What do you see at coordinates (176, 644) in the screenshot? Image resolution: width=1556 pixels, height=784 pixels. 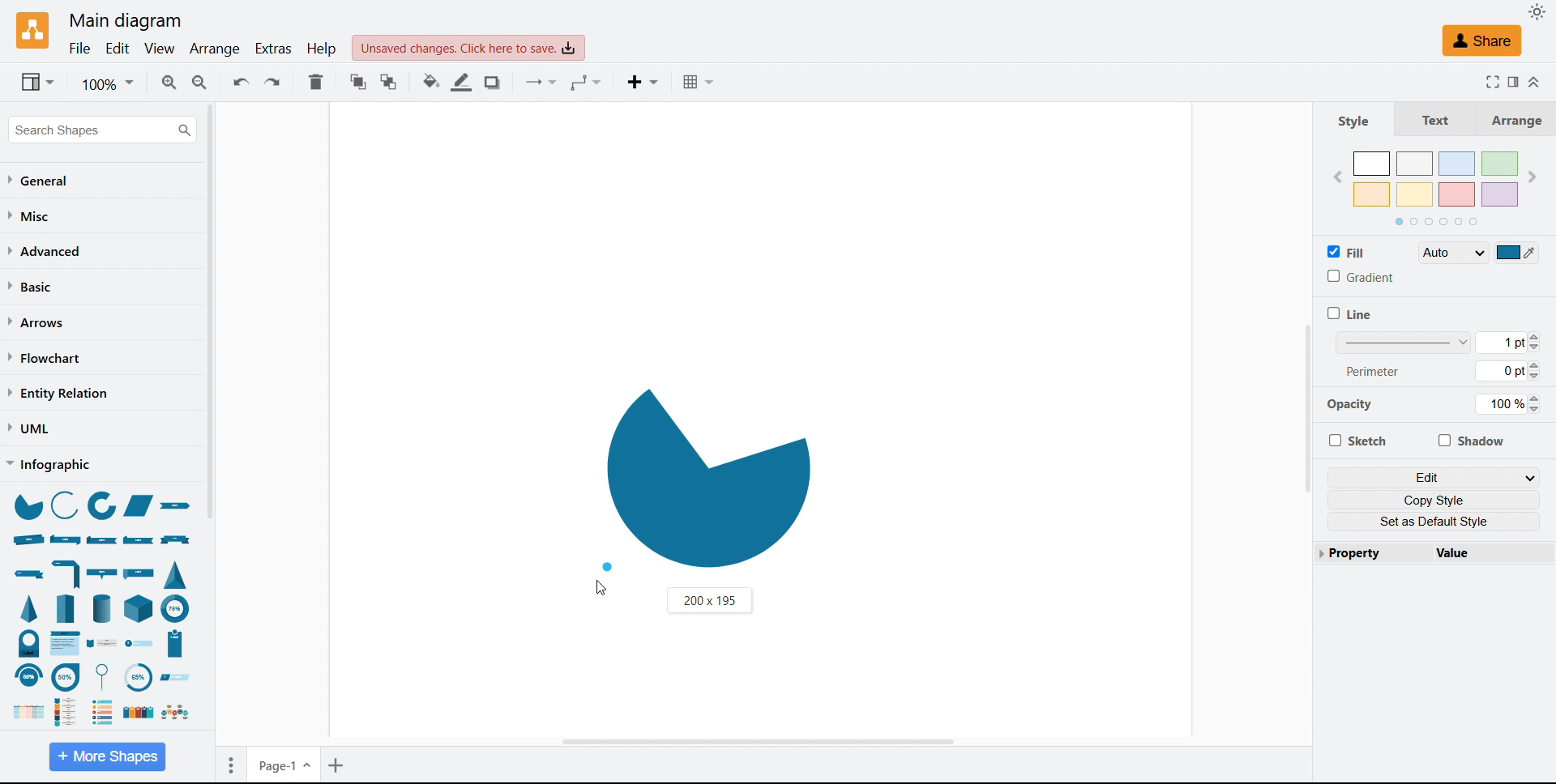 I see `numbered entry vertical` at bounding box center [176, 644].